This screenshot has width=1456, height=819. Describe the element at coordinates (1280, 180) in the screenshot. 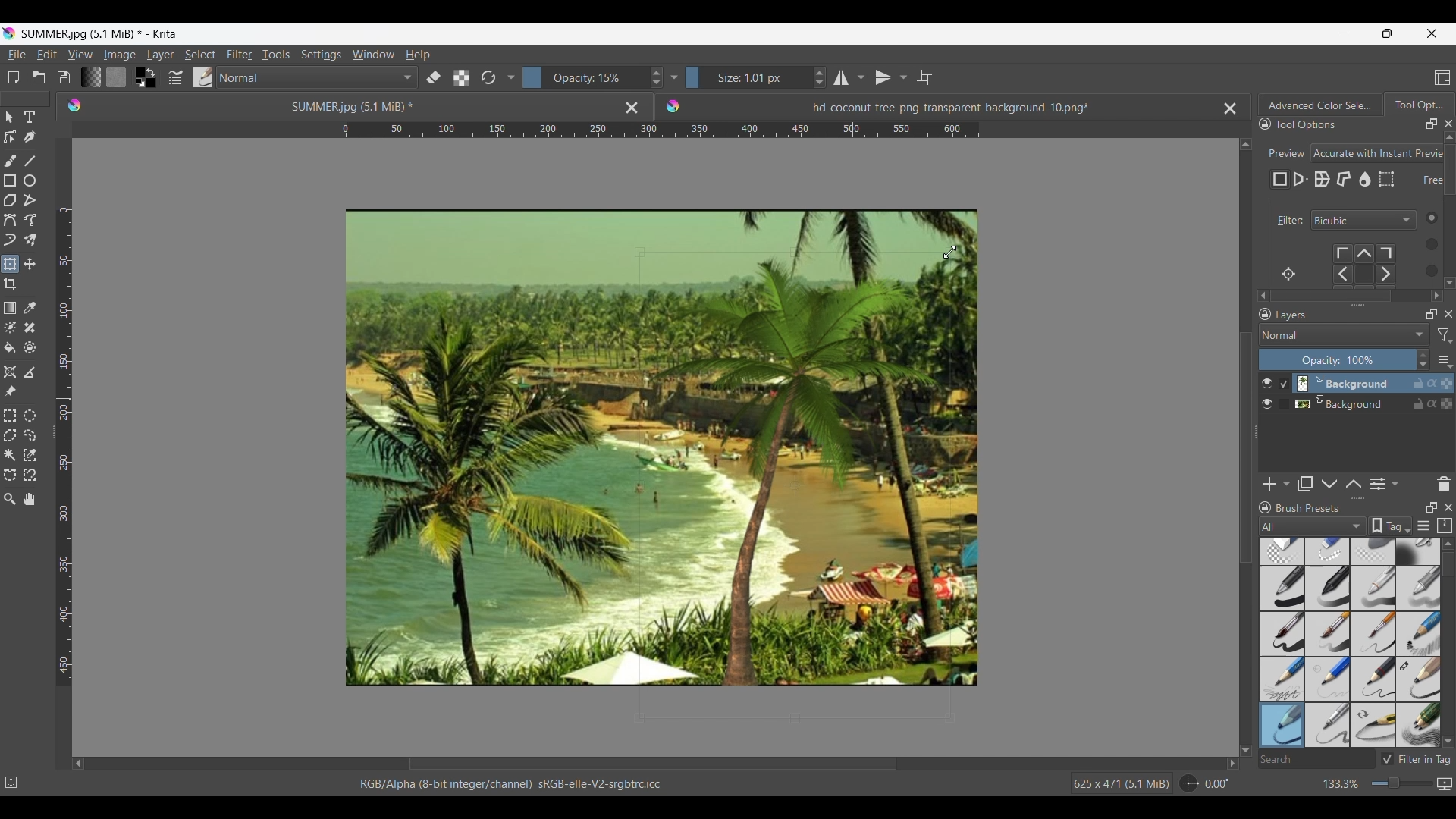

I see `Free` at that location.